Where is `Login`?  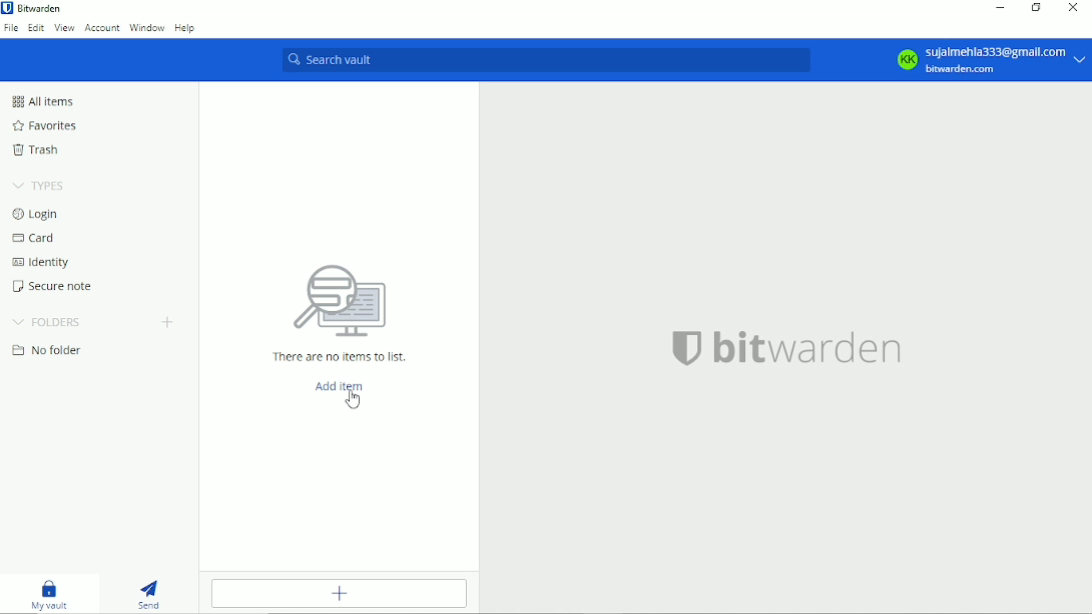
Login is located at coordinates (37, 213).